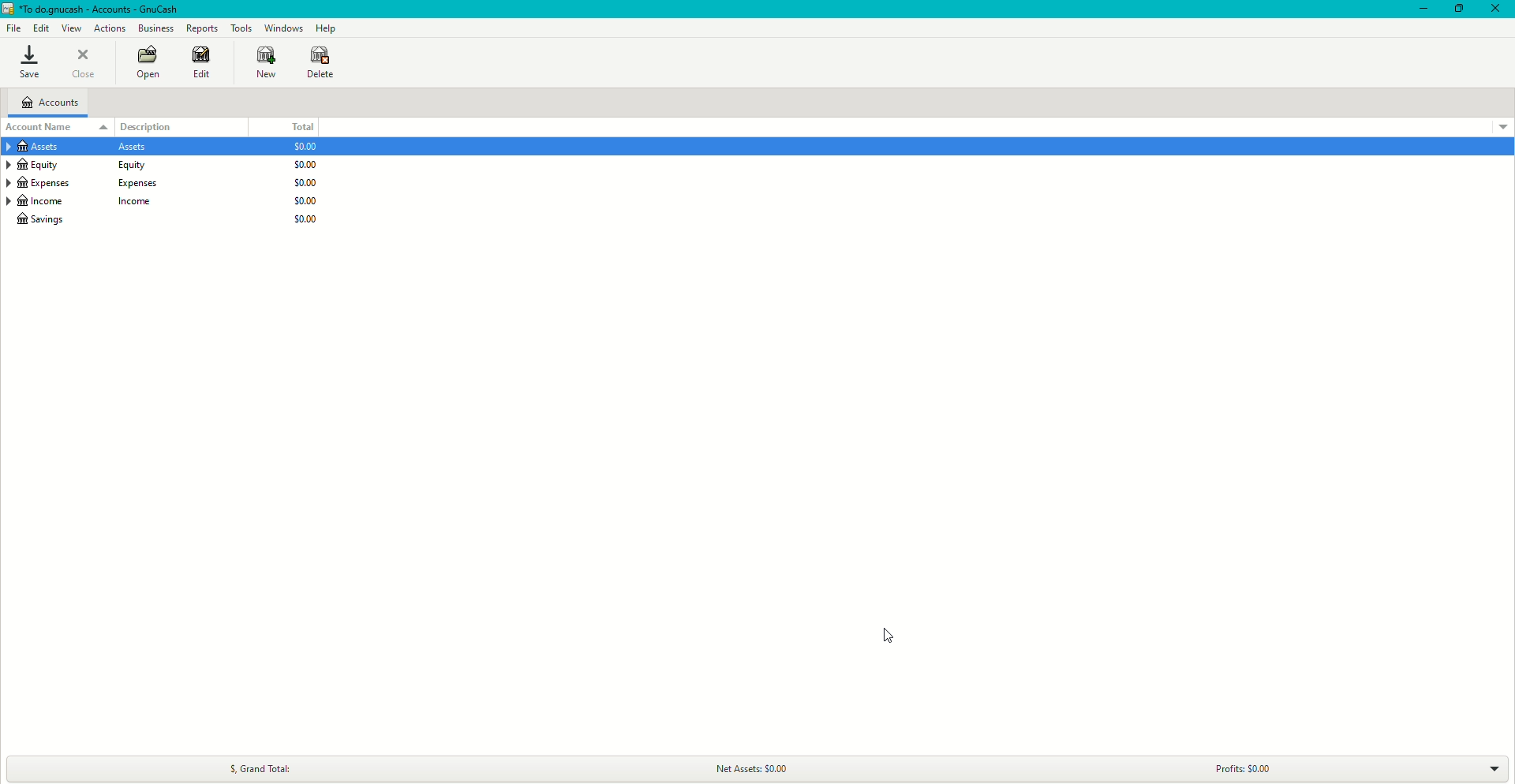  What do you see at coordinates (146, 64) in the screenshot?
I see `Open` at bounding box center [146, 64].